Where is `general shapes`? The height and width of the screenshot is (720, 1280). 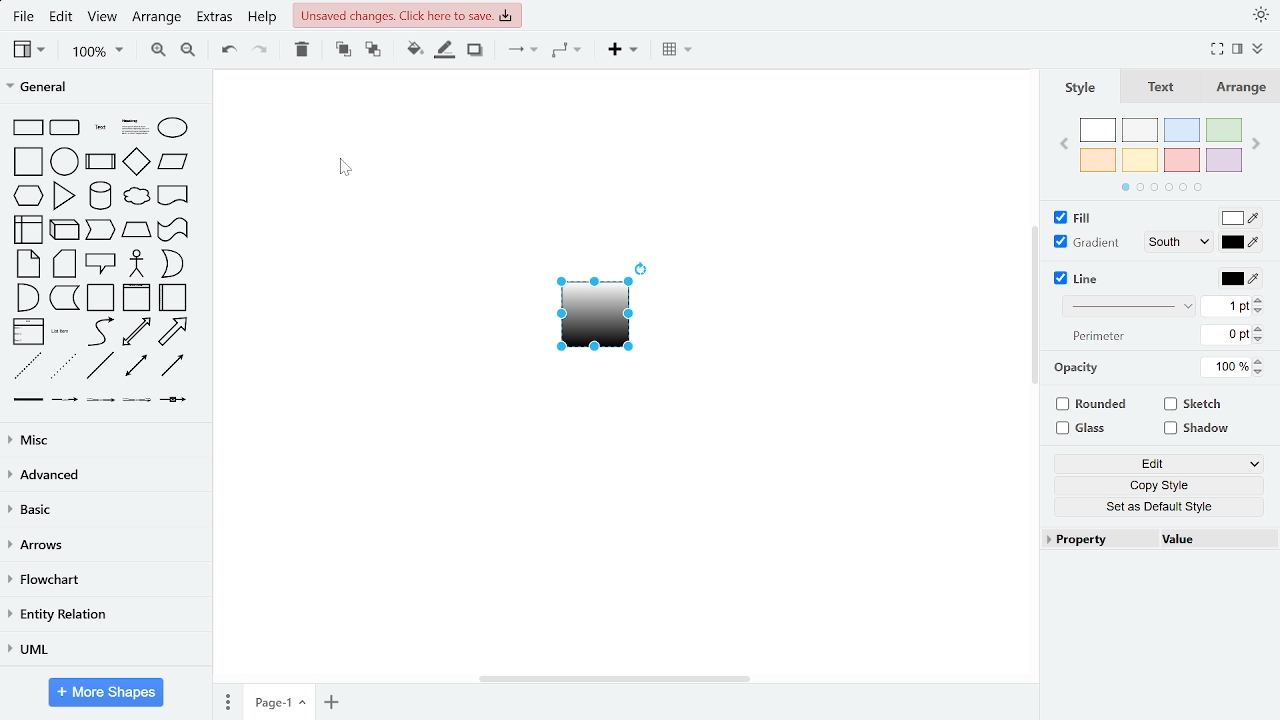 general shapes is located at coordinates (98, 158).